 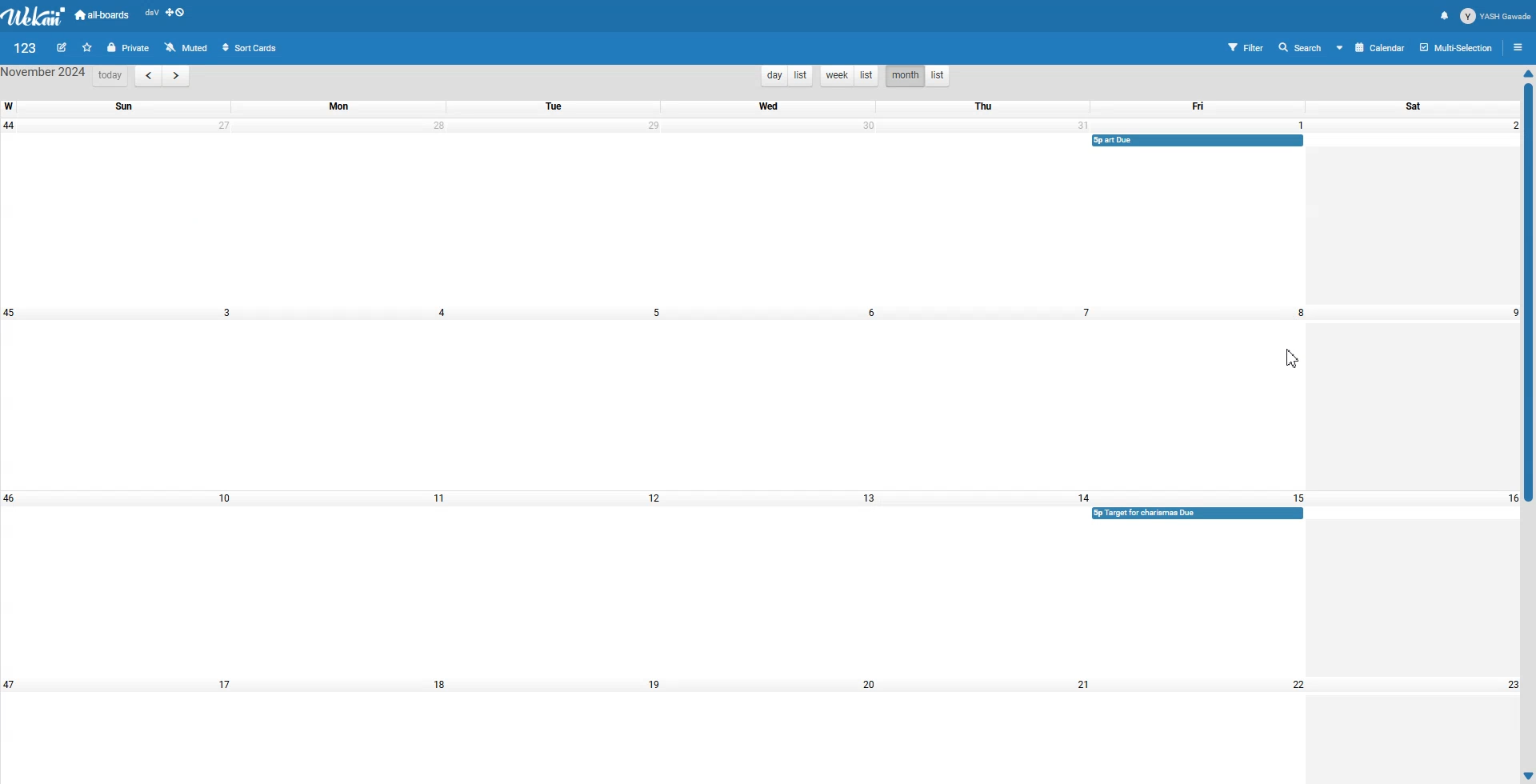 I want to click on Private, so click(x=128, y=48).